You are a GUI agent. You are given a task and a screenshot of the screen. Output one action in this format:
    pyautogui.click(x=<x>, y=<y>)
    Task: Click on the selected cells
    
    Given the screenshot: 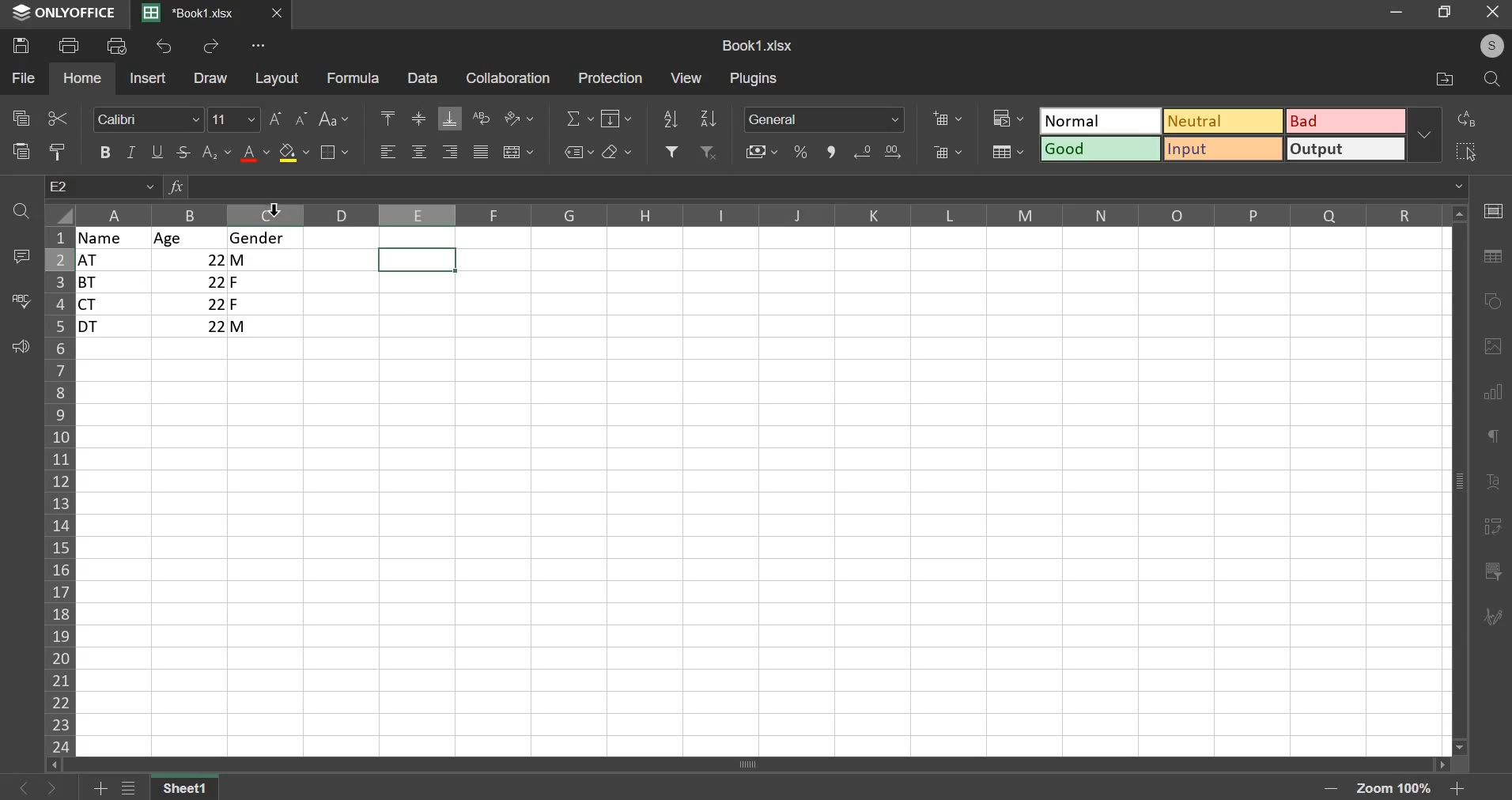 What is the action you would take?
    pyautogui.click(x=417, y=258)
    